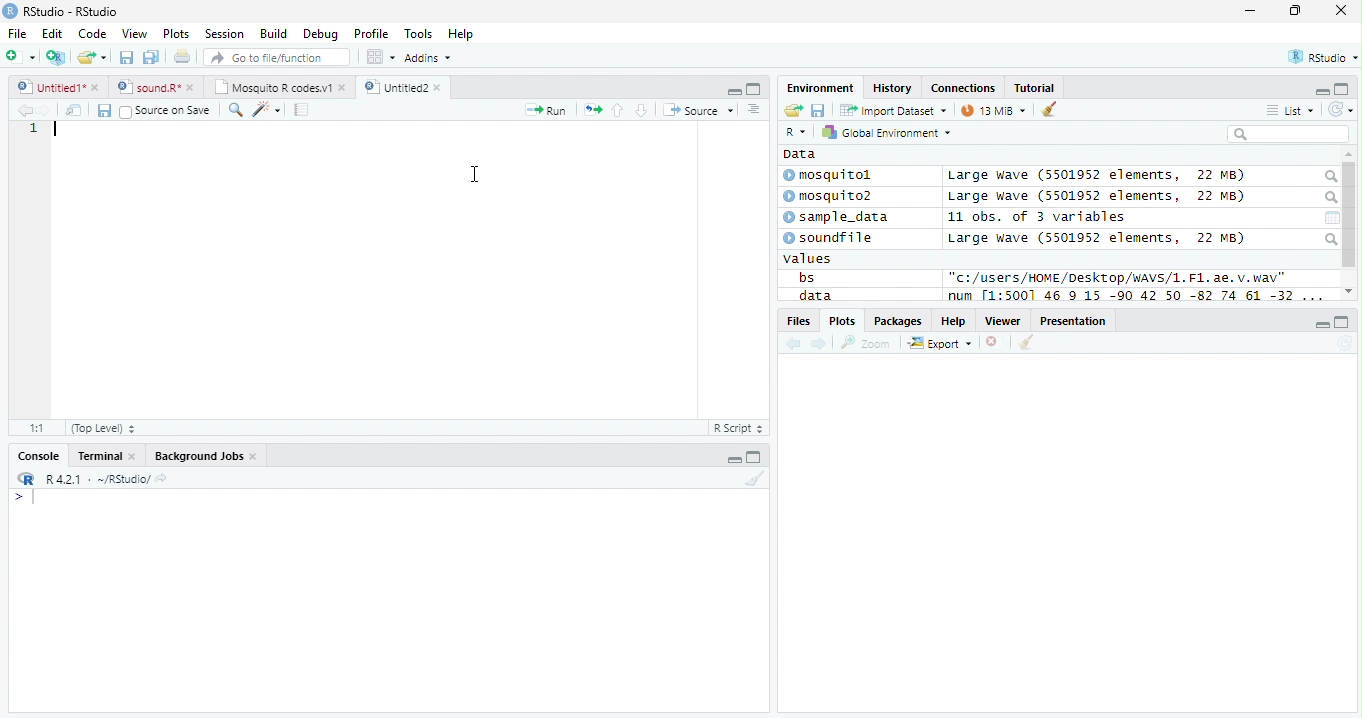 Image resolution: width=1362 pixels, height=718 pixels. What do you see at coordinates (806, 277) in the screenshot?
I see `bs` at bounding box center [806, 277].